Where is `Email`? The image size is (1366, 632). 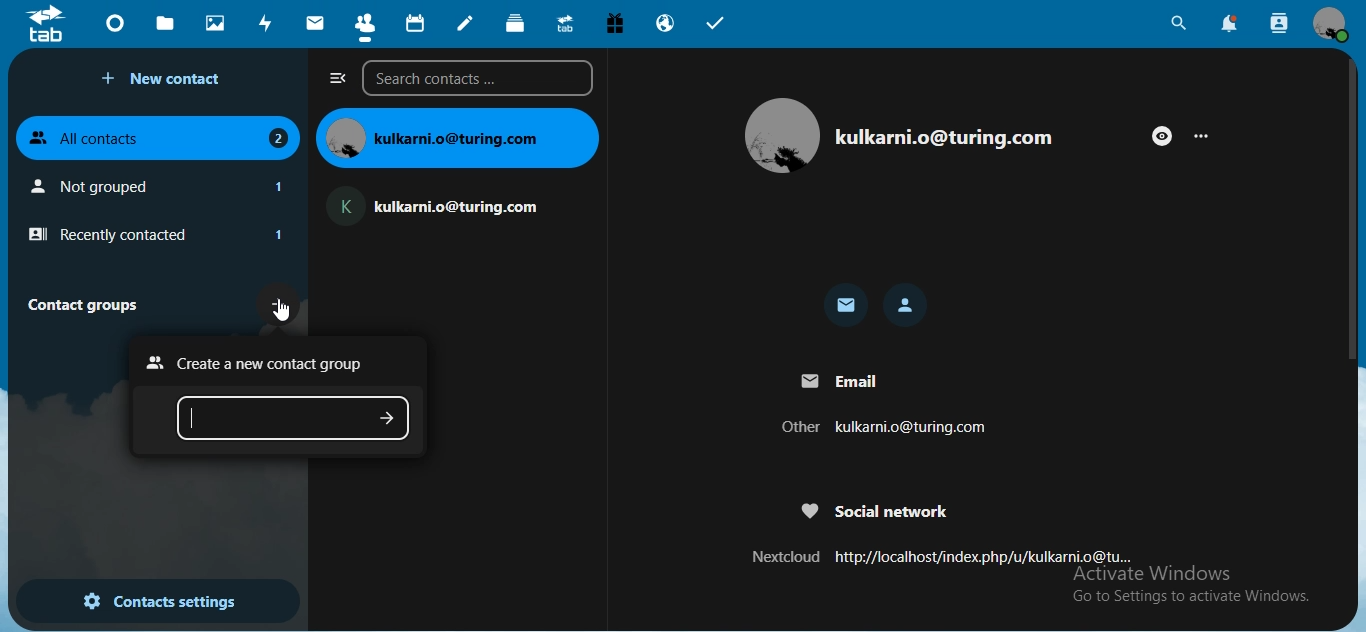
Email is located at coordinates (838, 380).